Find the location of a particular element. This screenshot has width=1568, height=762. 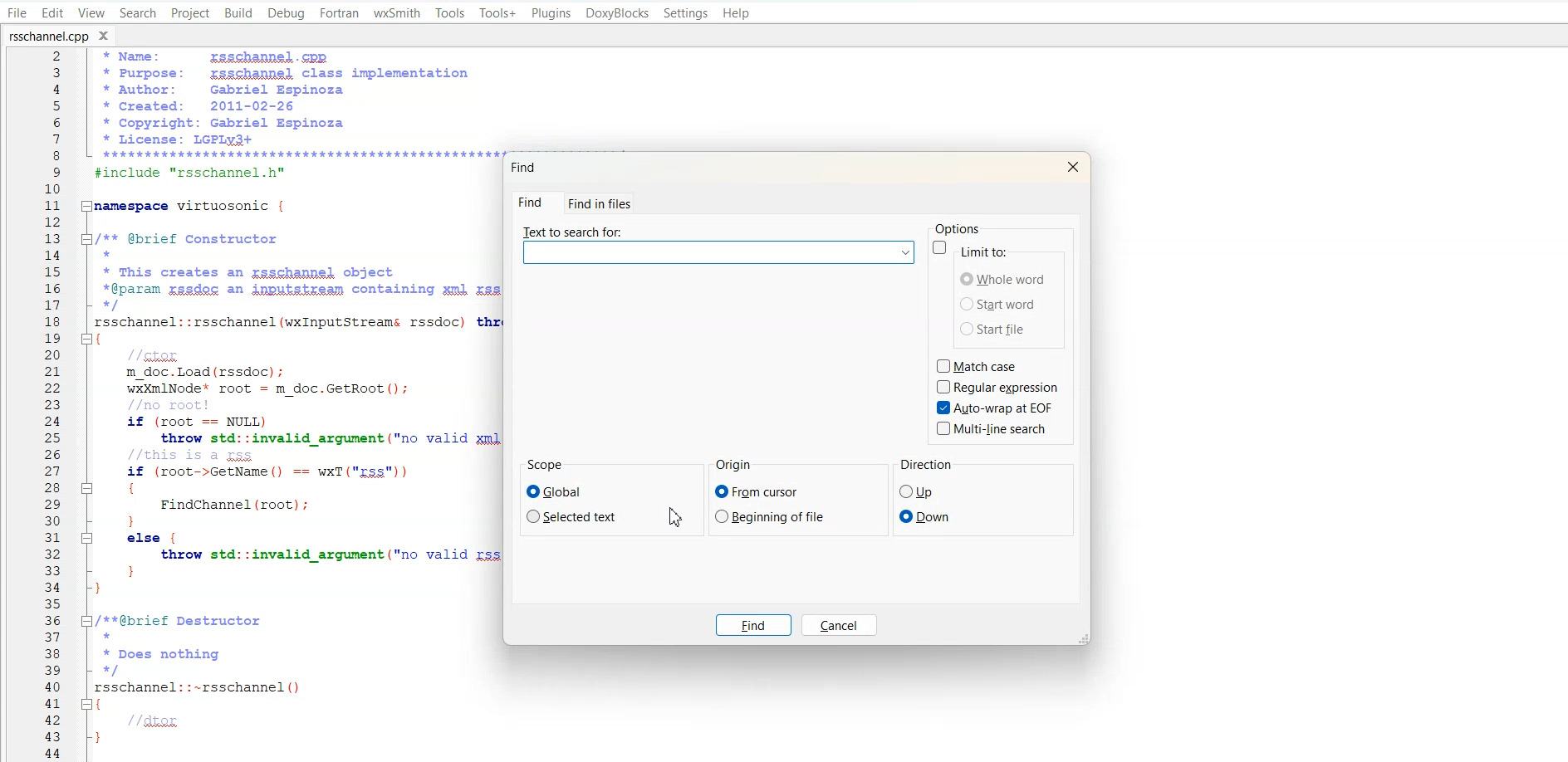

Multi-line Search is located at coordinates (994, 428).